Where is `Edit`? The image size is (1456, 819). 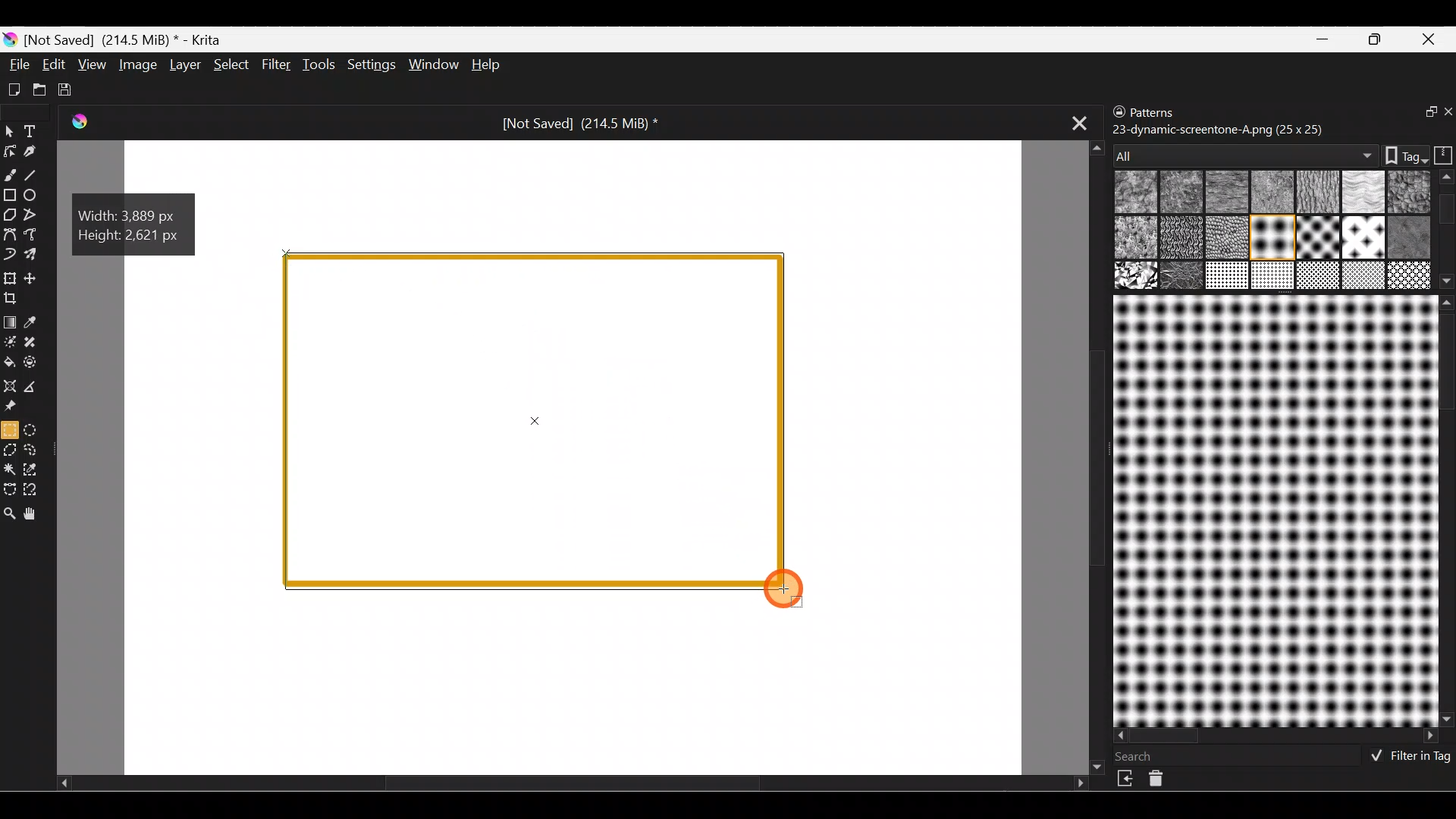
Edit is located at coordinates (53, 66).